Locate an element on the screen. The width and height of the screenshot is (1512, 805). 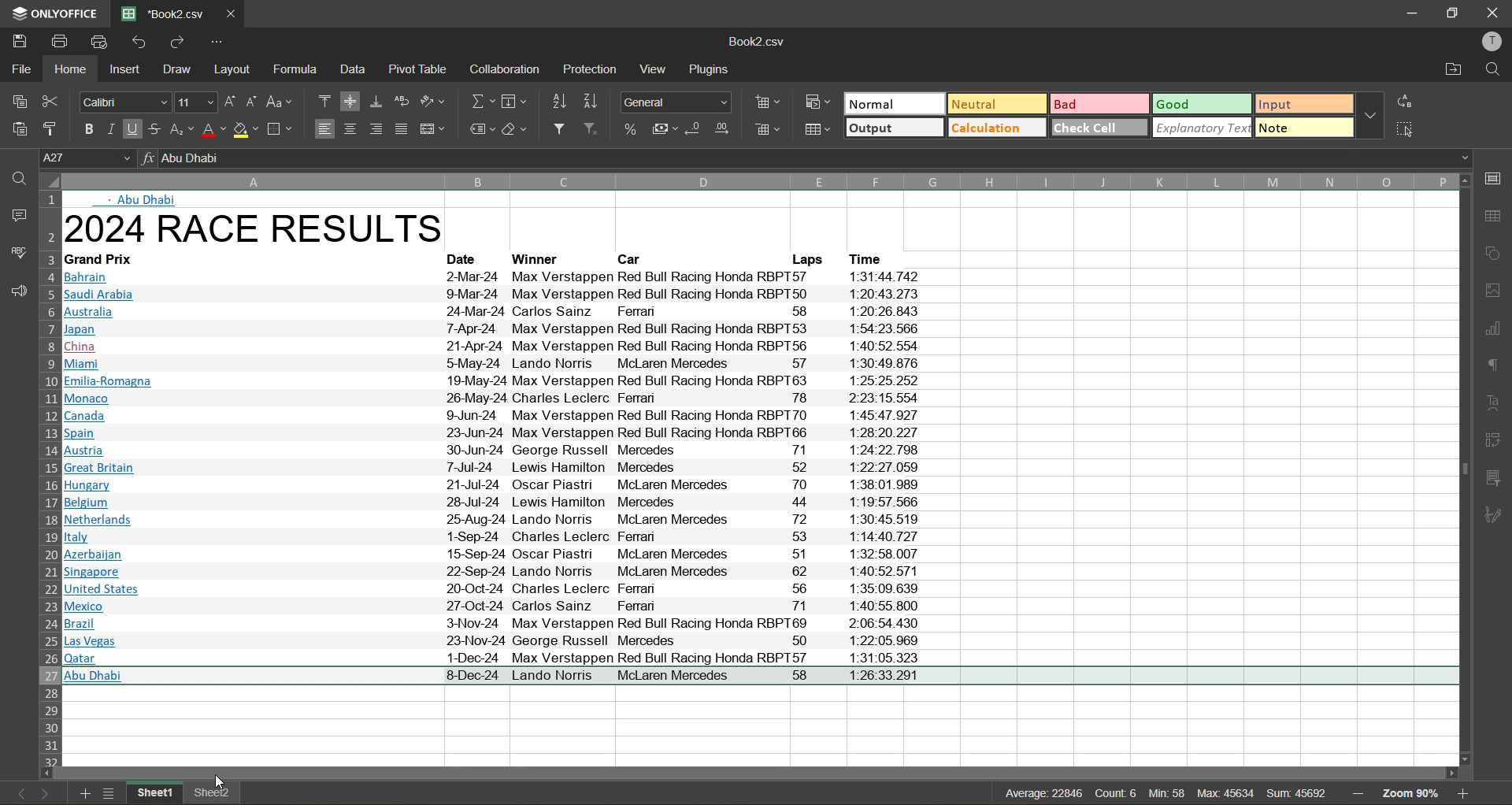
text info is located at coordinates (502, 484).